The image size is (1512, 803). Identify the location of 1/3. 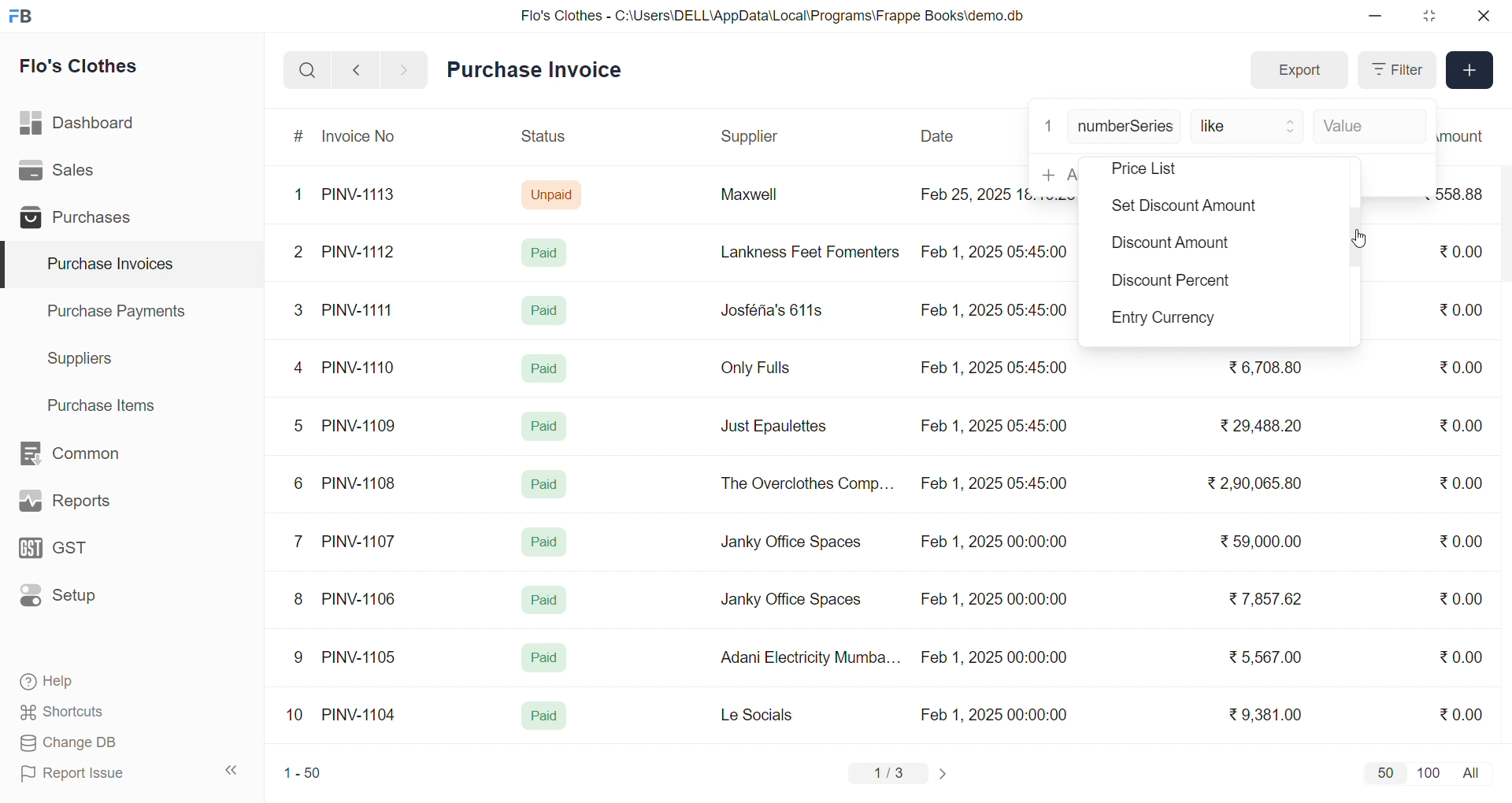
(889, 775).